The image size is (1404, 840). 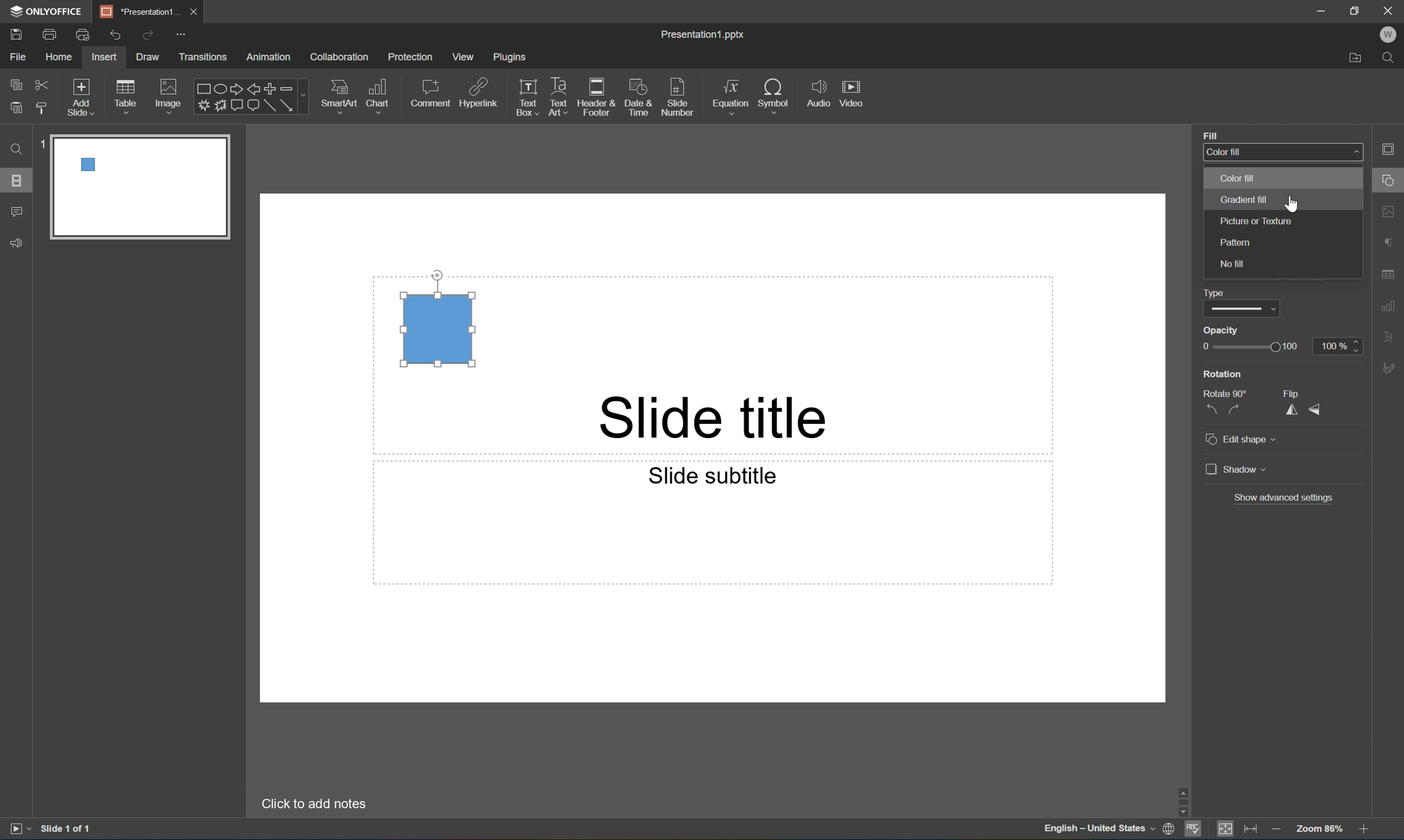 I want to click on Flip Vertically, so click(x=1316, y=410).